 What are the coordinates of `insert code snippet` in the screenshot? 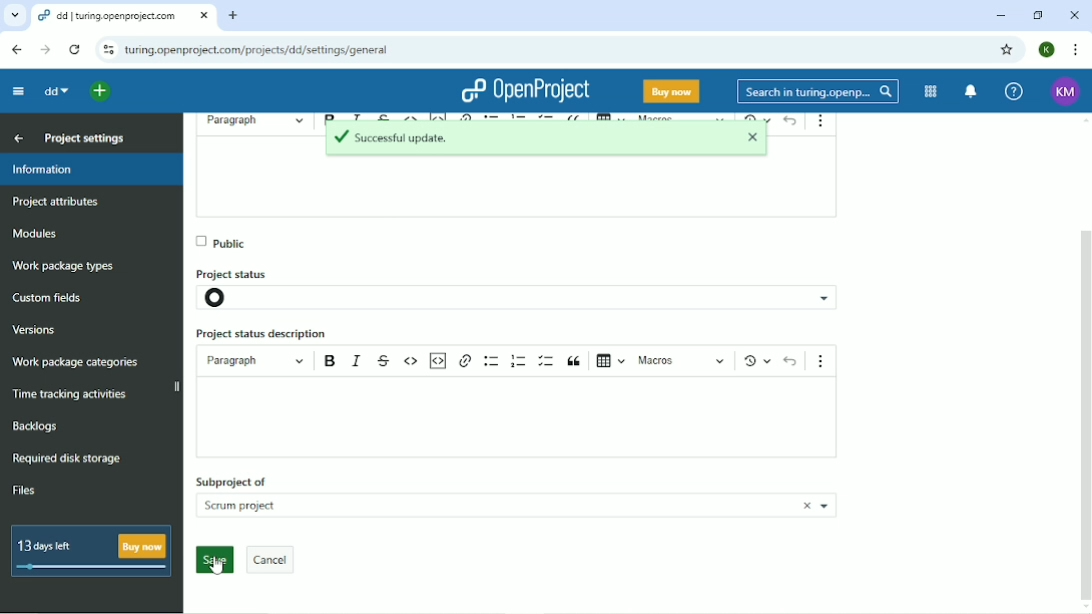 It's located at (437, 358).